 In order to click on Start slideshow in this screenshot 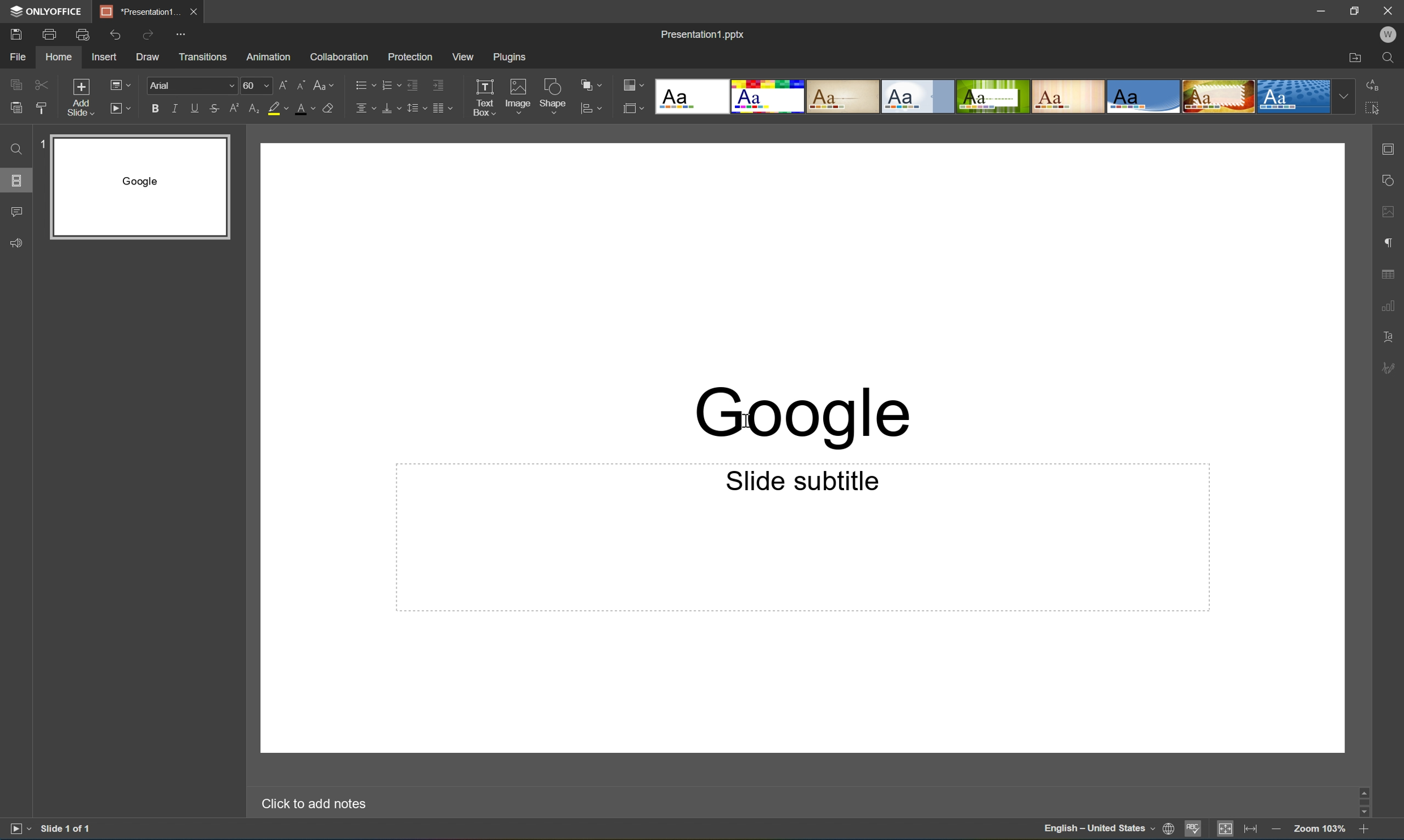, I will do `click(123, 111)`.